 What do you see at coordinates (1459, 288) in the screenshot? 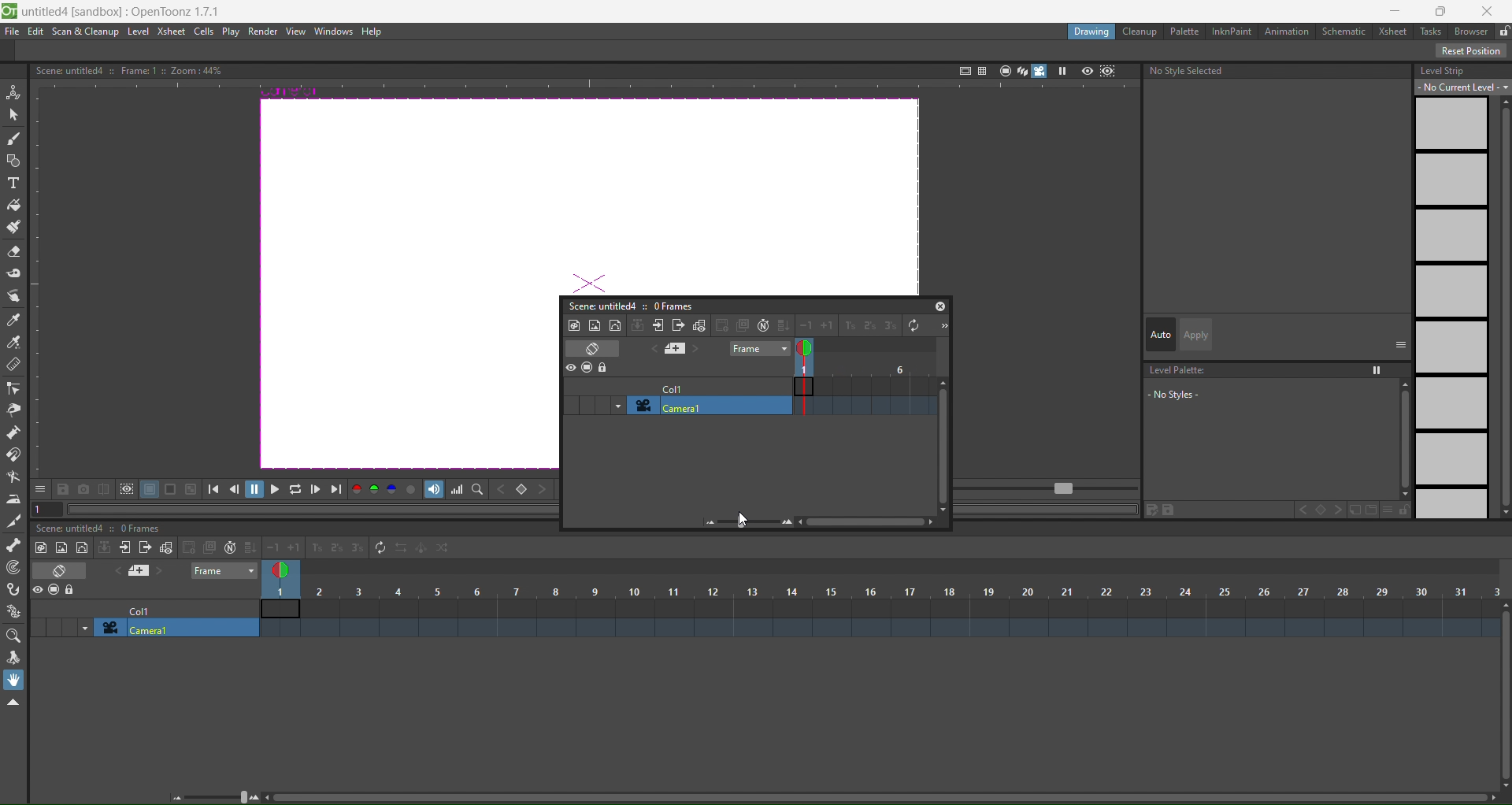
I see `level strip` at bounding box center [1459, 288].